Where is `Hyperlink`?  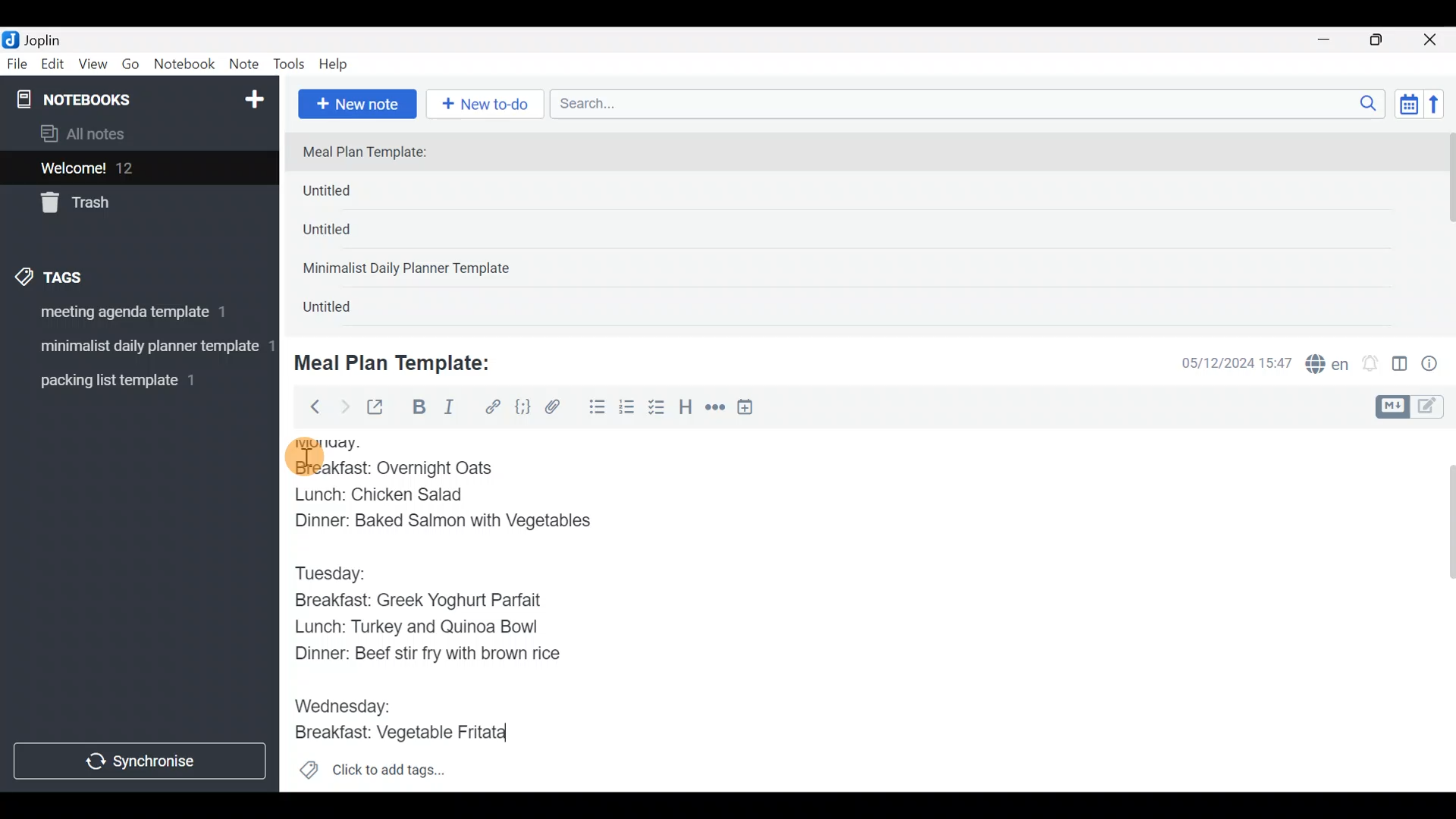
Hyperlink is located at coordinates (493, 407).